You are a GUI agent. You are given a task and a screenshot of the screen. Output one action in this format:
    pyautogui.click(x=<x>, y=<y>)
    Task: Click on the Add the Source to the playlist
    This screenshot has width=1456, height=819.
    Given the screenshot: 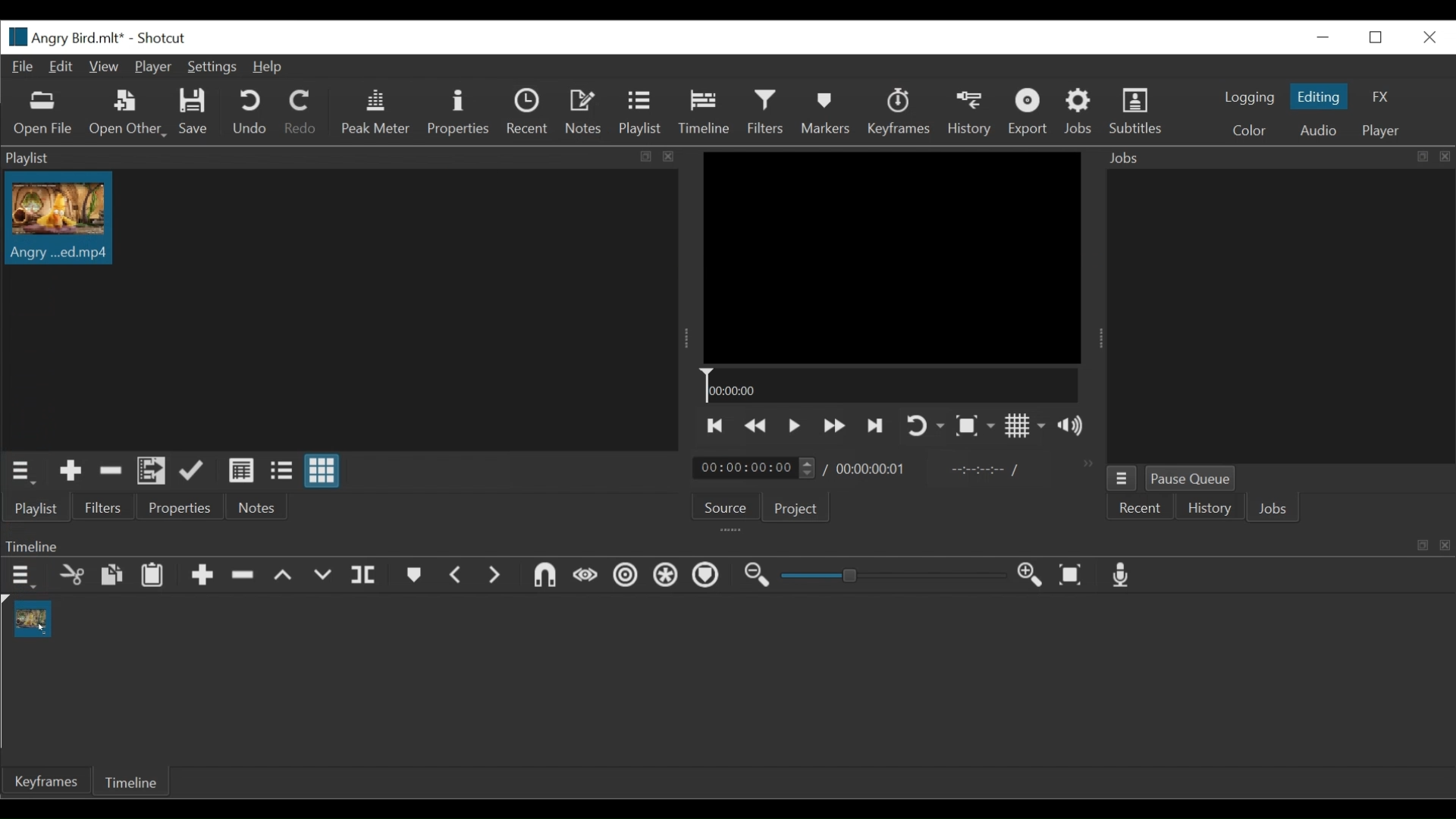 What is the action you would take?
    pyautogui.click(x=71, y=470)
    